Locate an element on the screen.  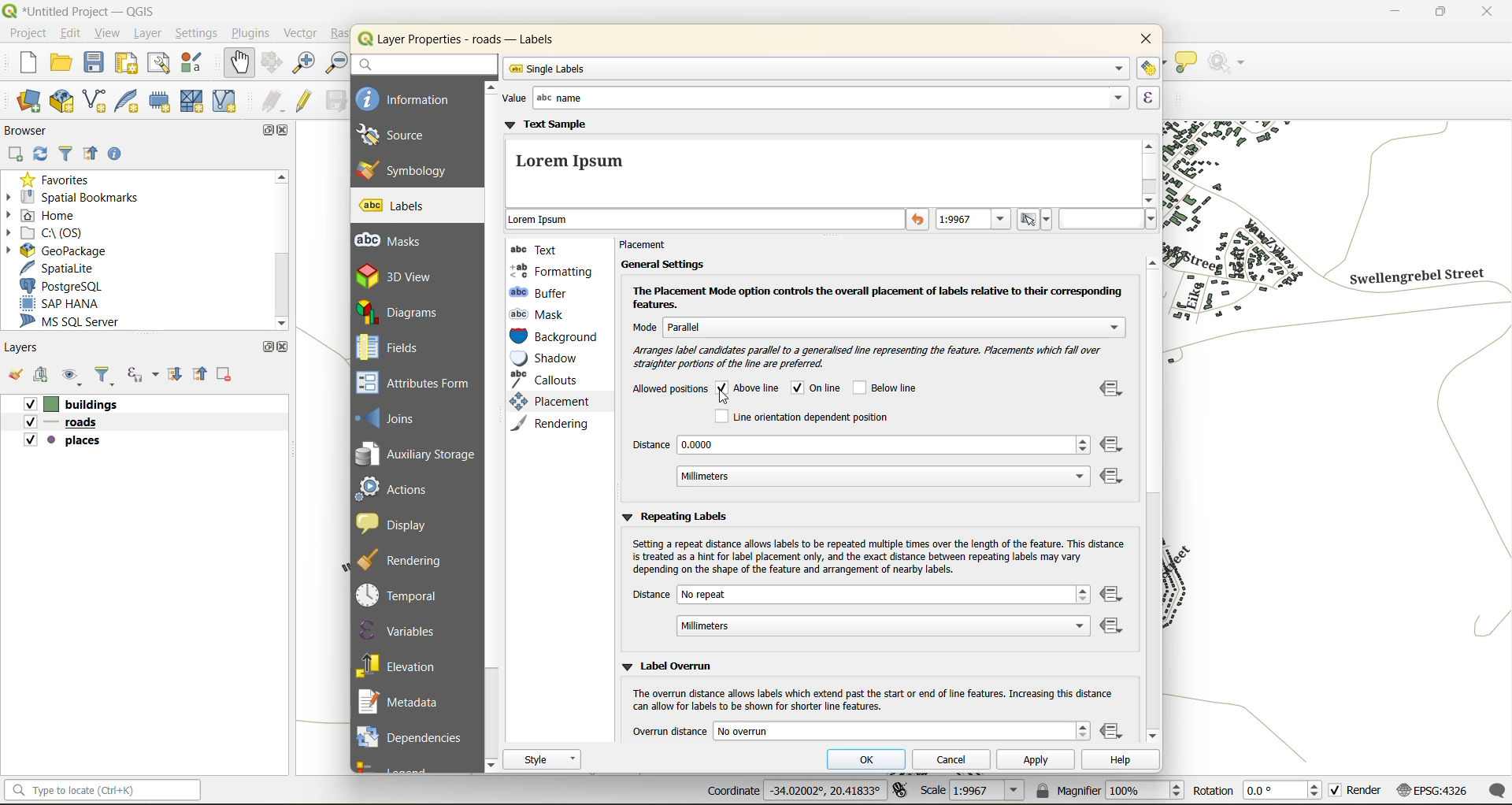
source is located at coordinates (402, 135).